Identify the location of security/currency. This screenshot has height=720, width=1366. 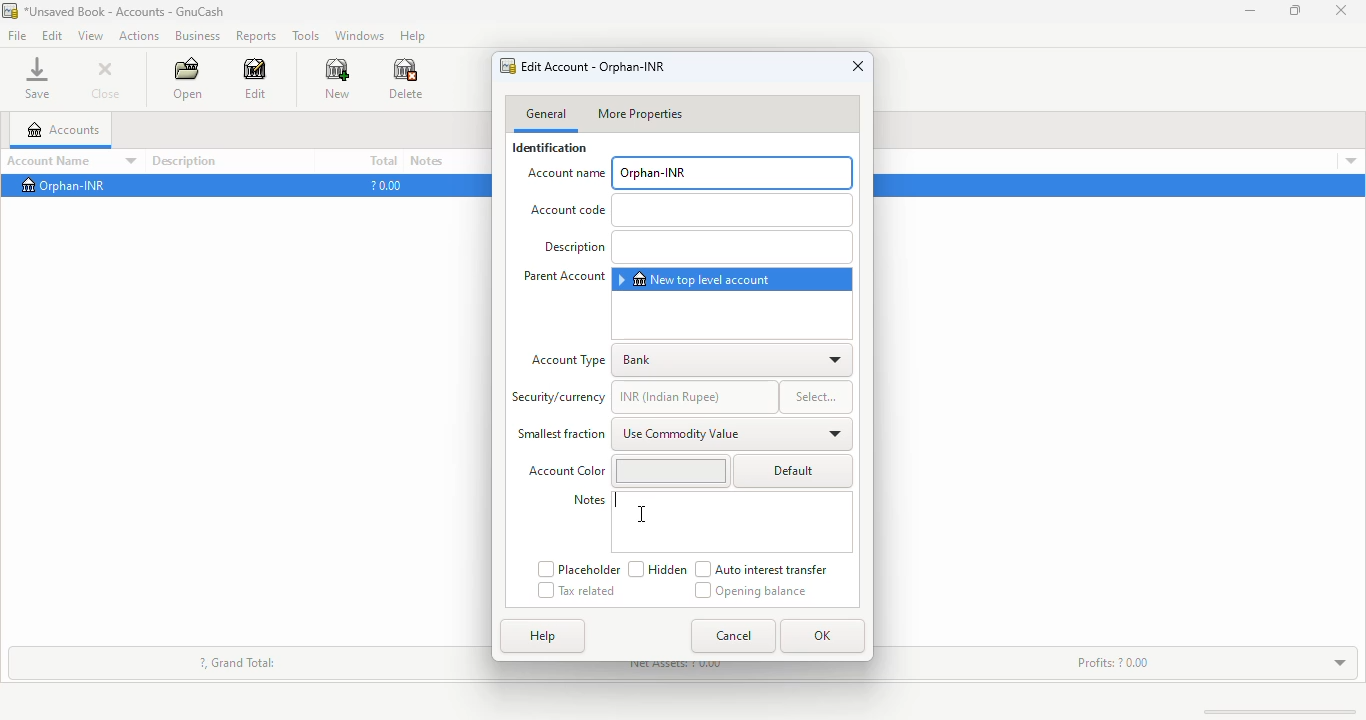
(559, 397).